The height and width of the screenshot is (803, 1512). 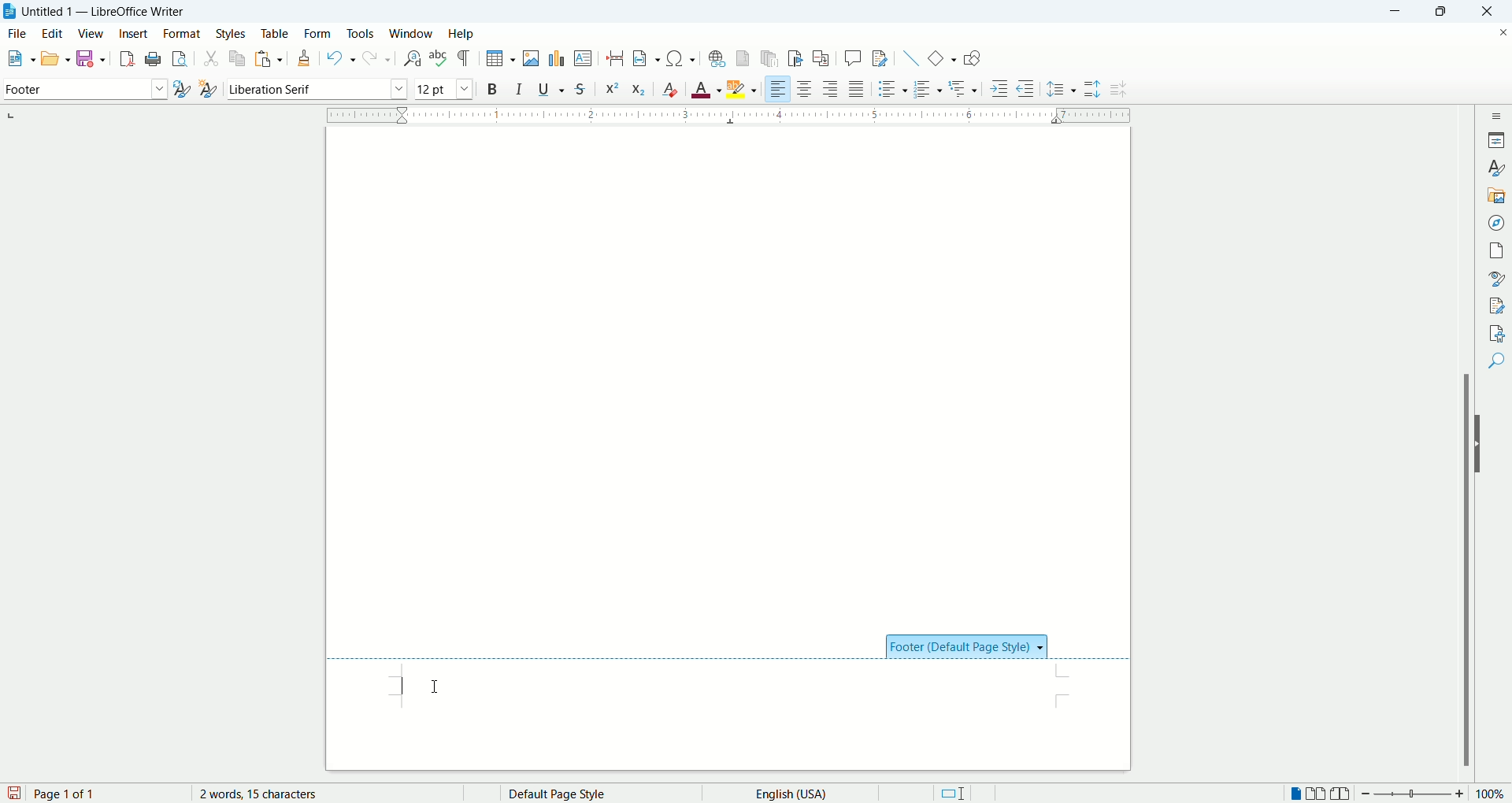 I want to click on bold, so click(x=492, y=88).